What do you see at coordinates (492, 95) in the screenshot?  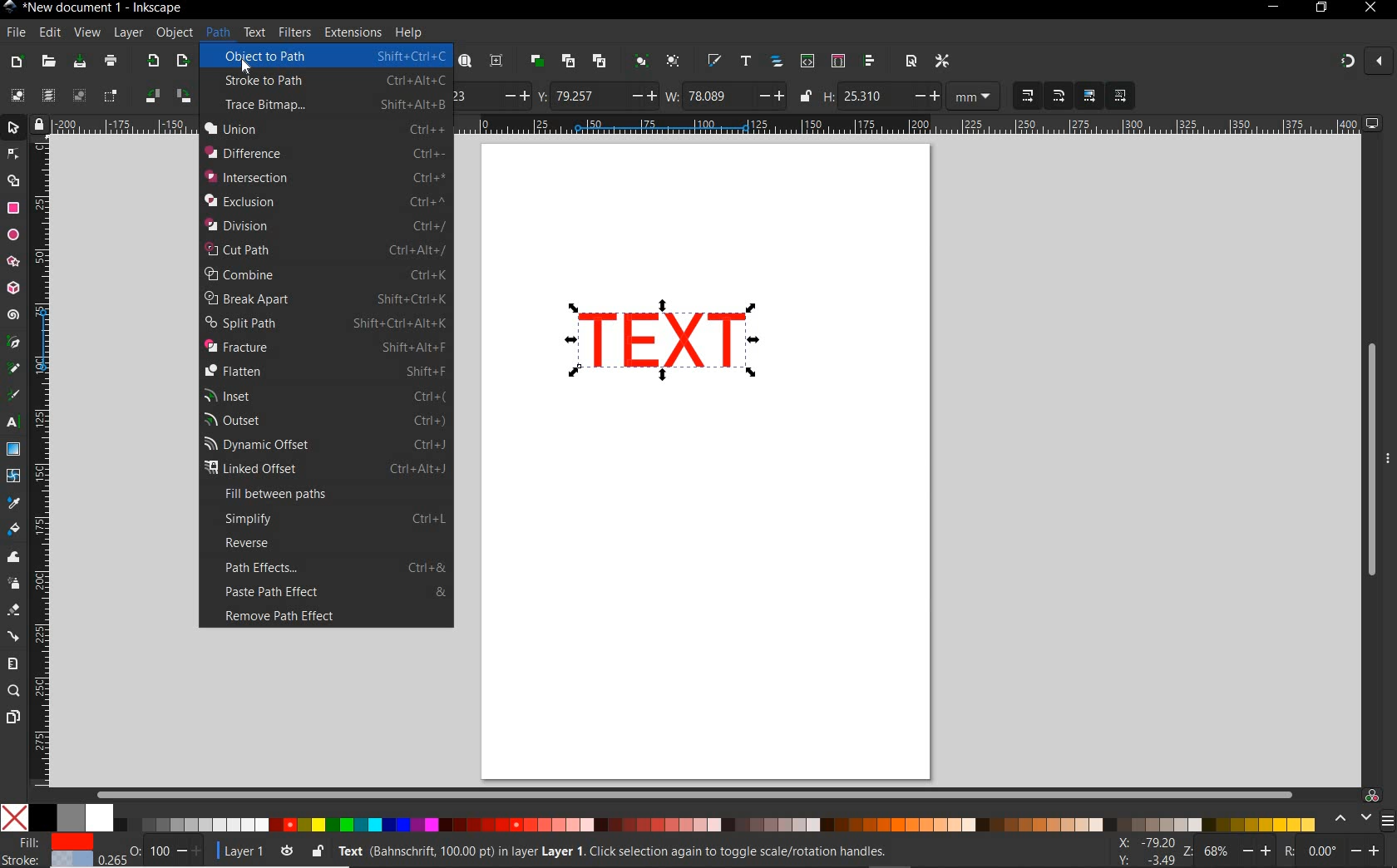 I see `HORIZONTAL COORDINATE OF SELECTION` at bounding box center [492, 95].